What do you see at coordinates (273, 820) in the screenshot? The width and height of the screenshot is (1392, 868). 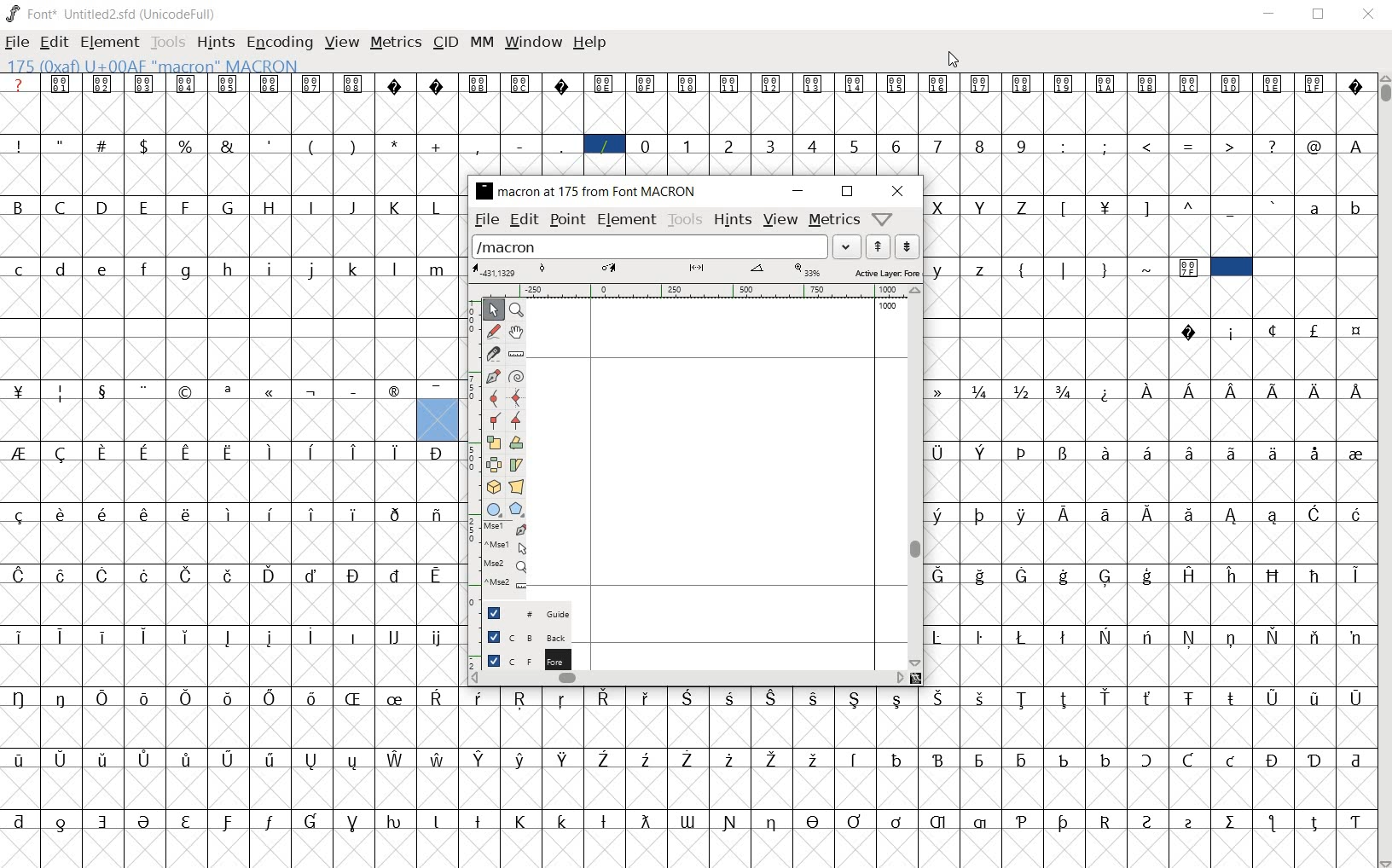 I see `Symbol` at bounding box center [273, 820].